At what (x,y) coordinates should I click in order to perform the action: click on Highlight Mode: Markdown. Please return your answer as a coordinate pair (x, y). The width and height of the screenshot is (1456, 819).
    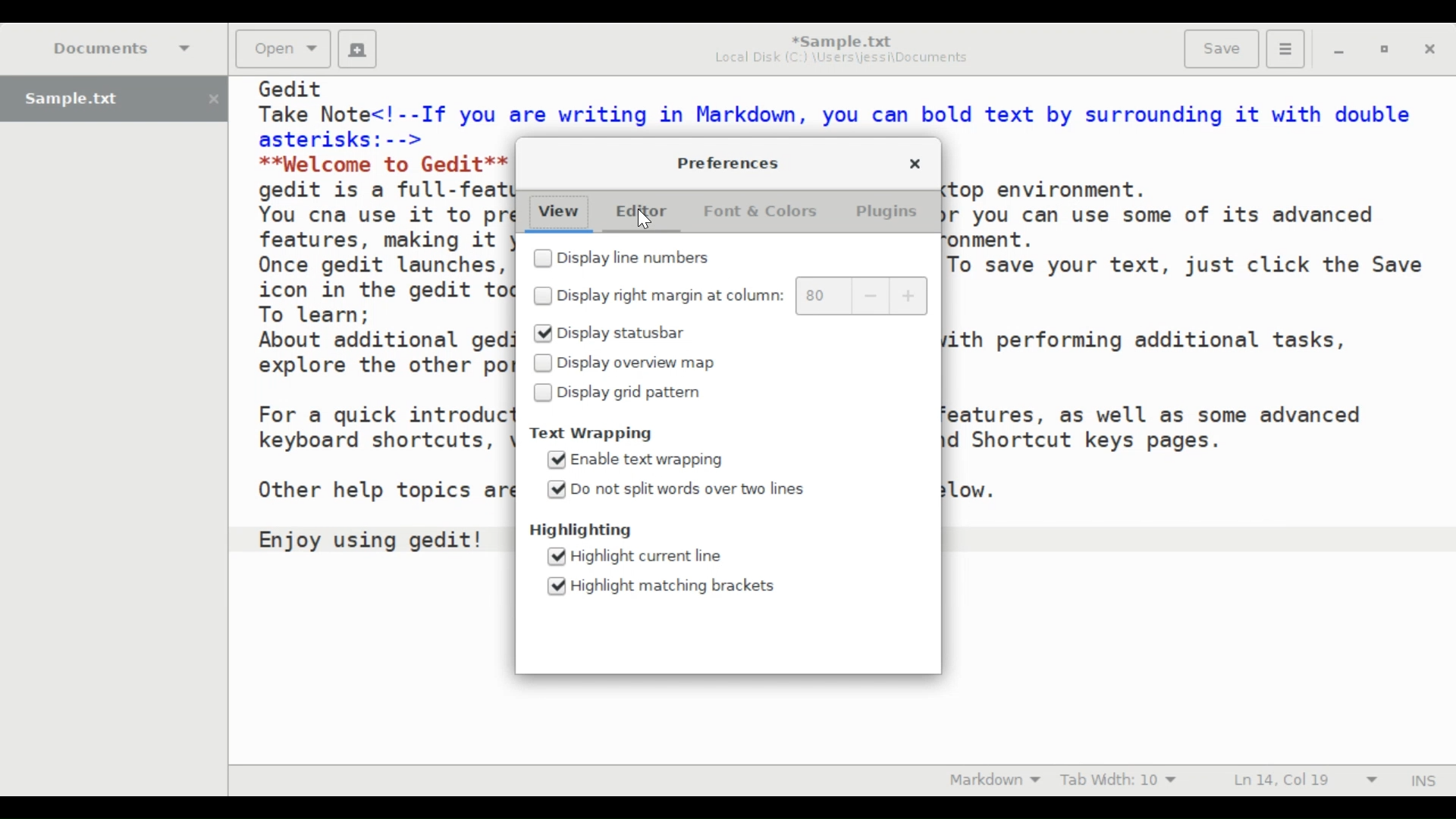
    Looking at the image, I should click on (995, 780).